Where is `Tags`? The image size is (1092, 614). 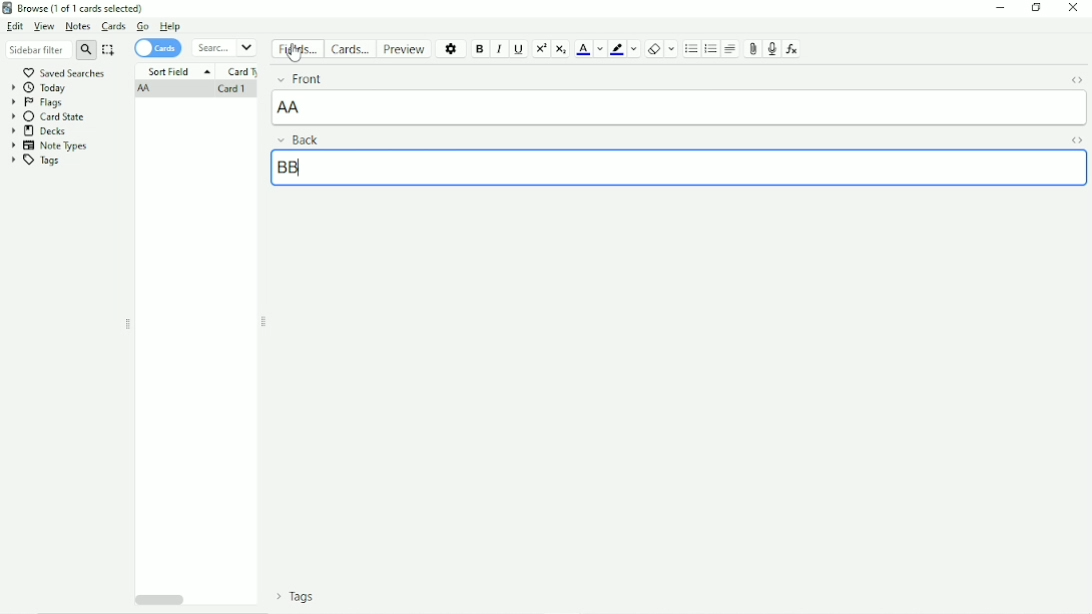 Tags is located at coordinates (296, 596).